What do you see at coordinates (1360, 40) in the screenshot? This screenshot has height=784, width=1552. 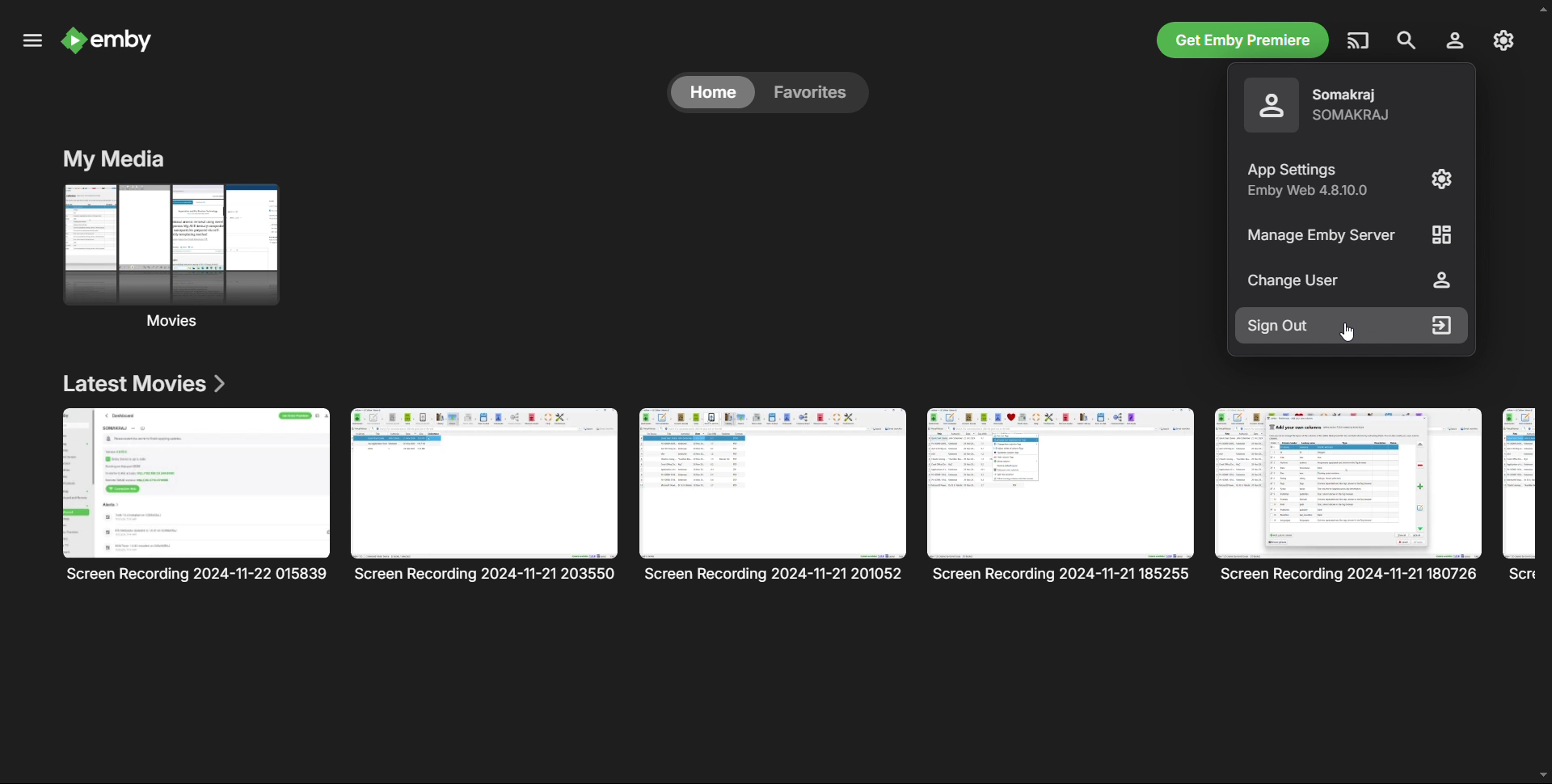 I see `play on another device` at bounding box center [1360, 40].